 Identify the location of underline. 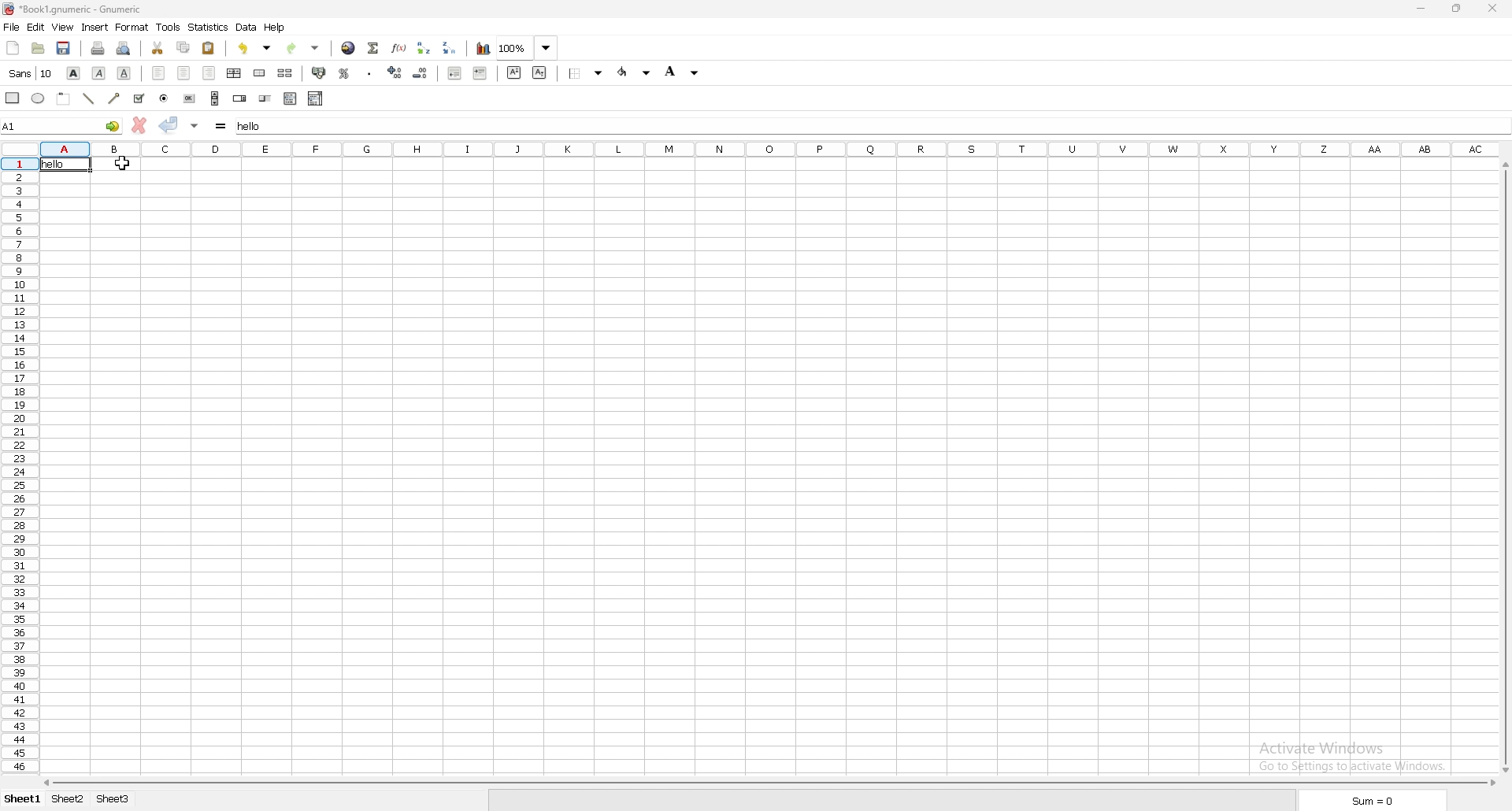
(125, 74).